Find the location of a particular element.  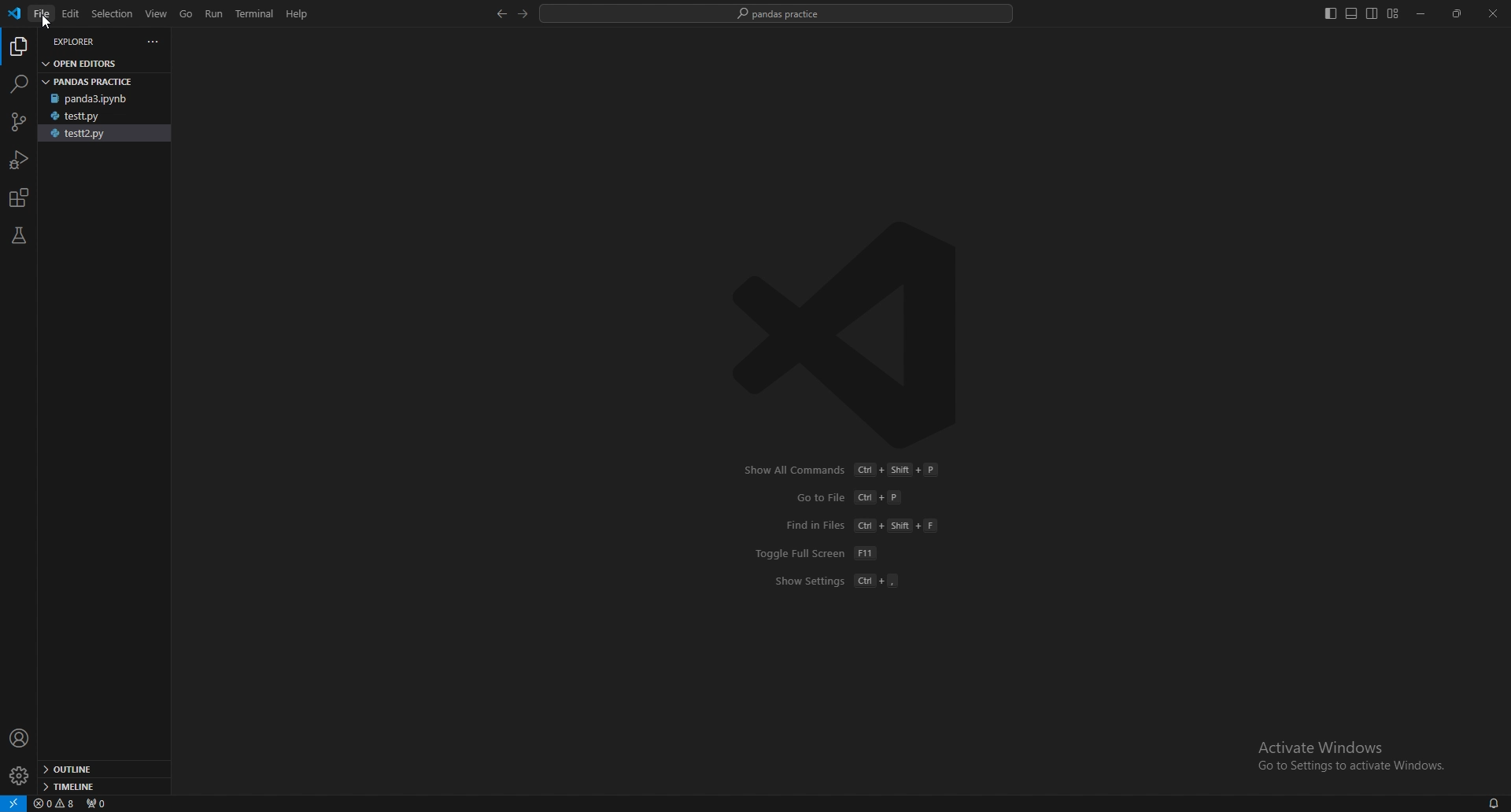

extensions is located at coordinates (20, 198).